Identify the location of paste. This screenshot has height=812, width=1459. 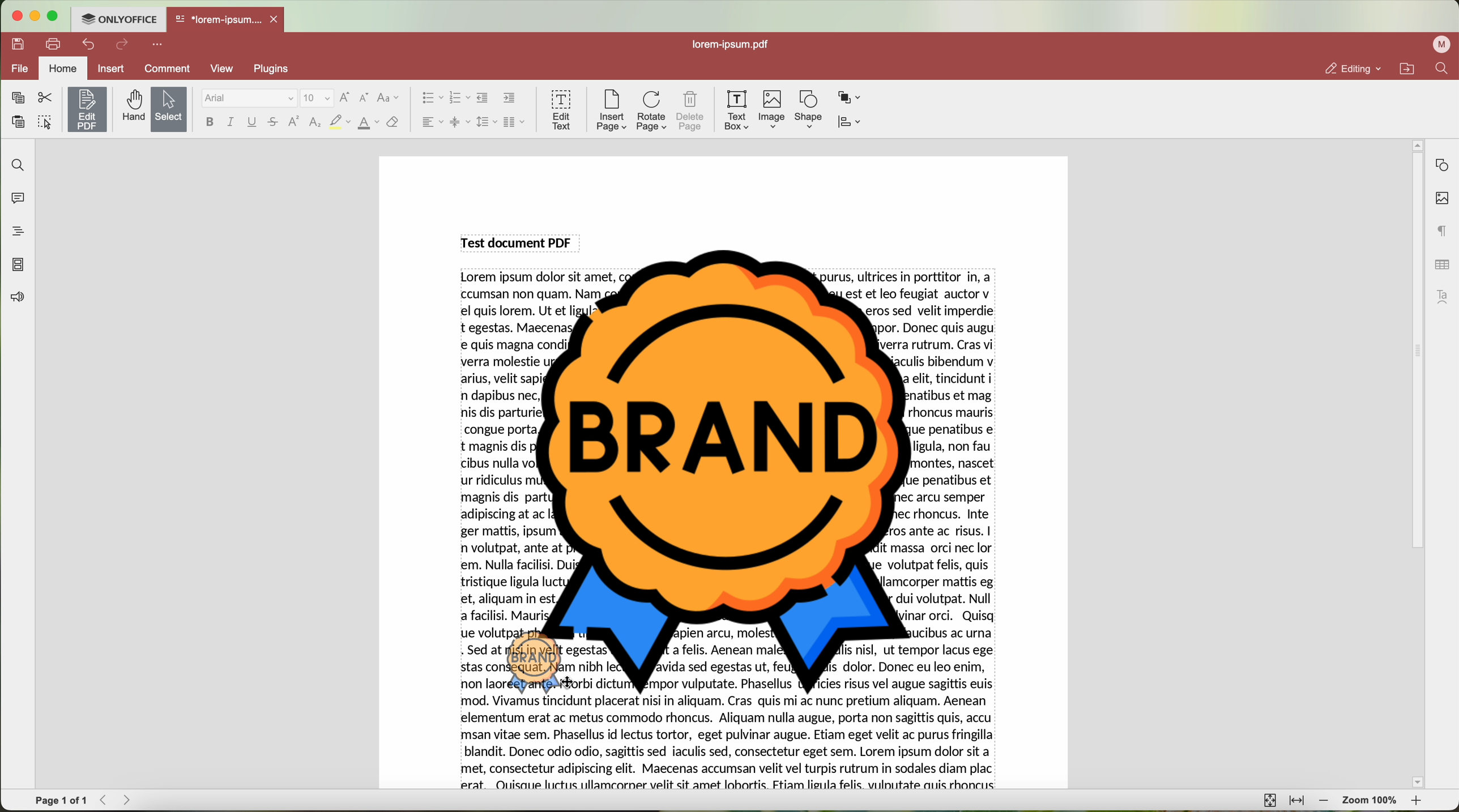
(18, 122).